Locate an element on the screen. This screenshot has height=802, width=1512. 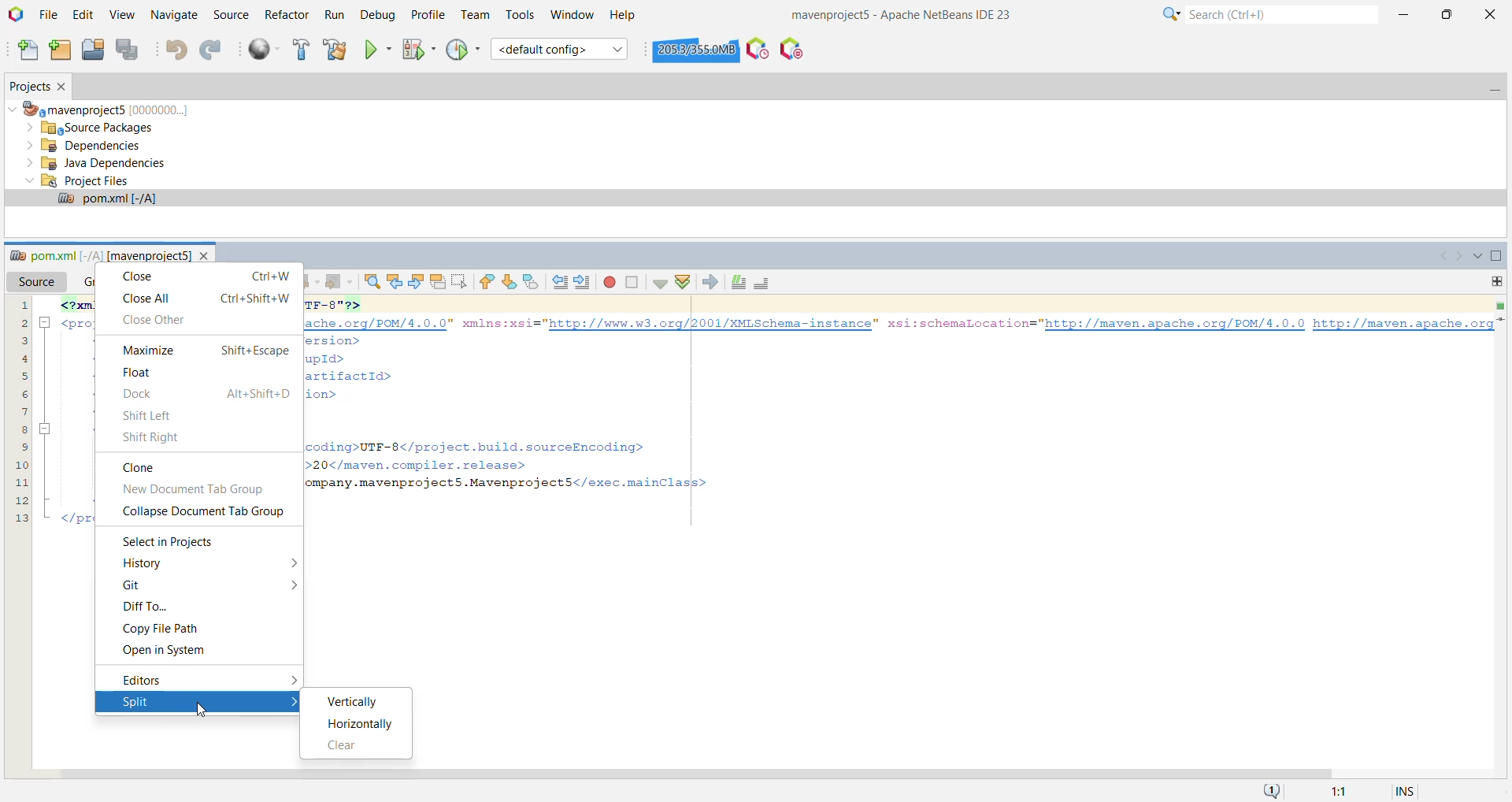
Undo is located at coordinates (176, 51).